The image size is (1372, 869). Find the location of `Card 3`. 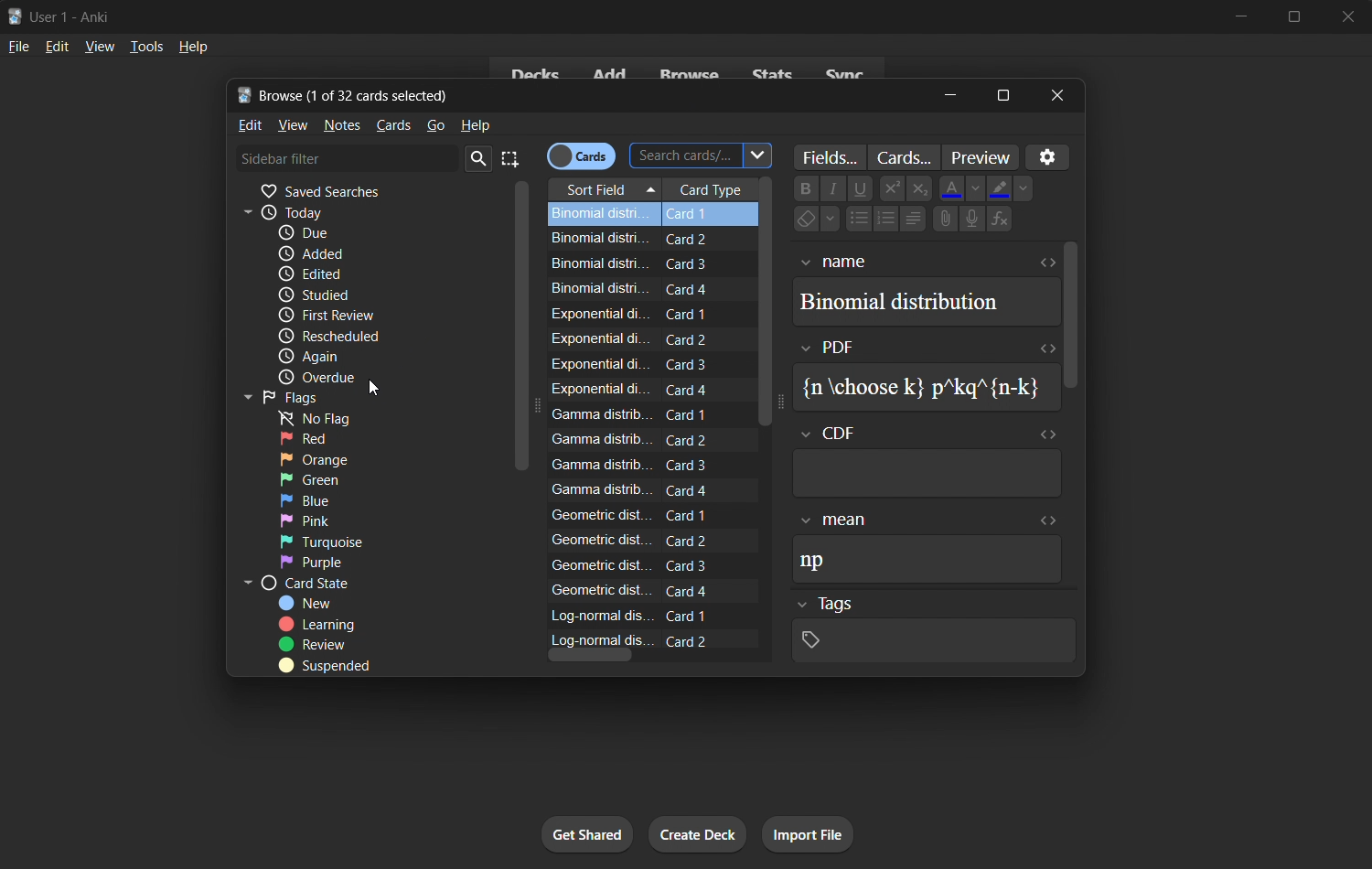

Card 3 is located at coordinates (703, 265).